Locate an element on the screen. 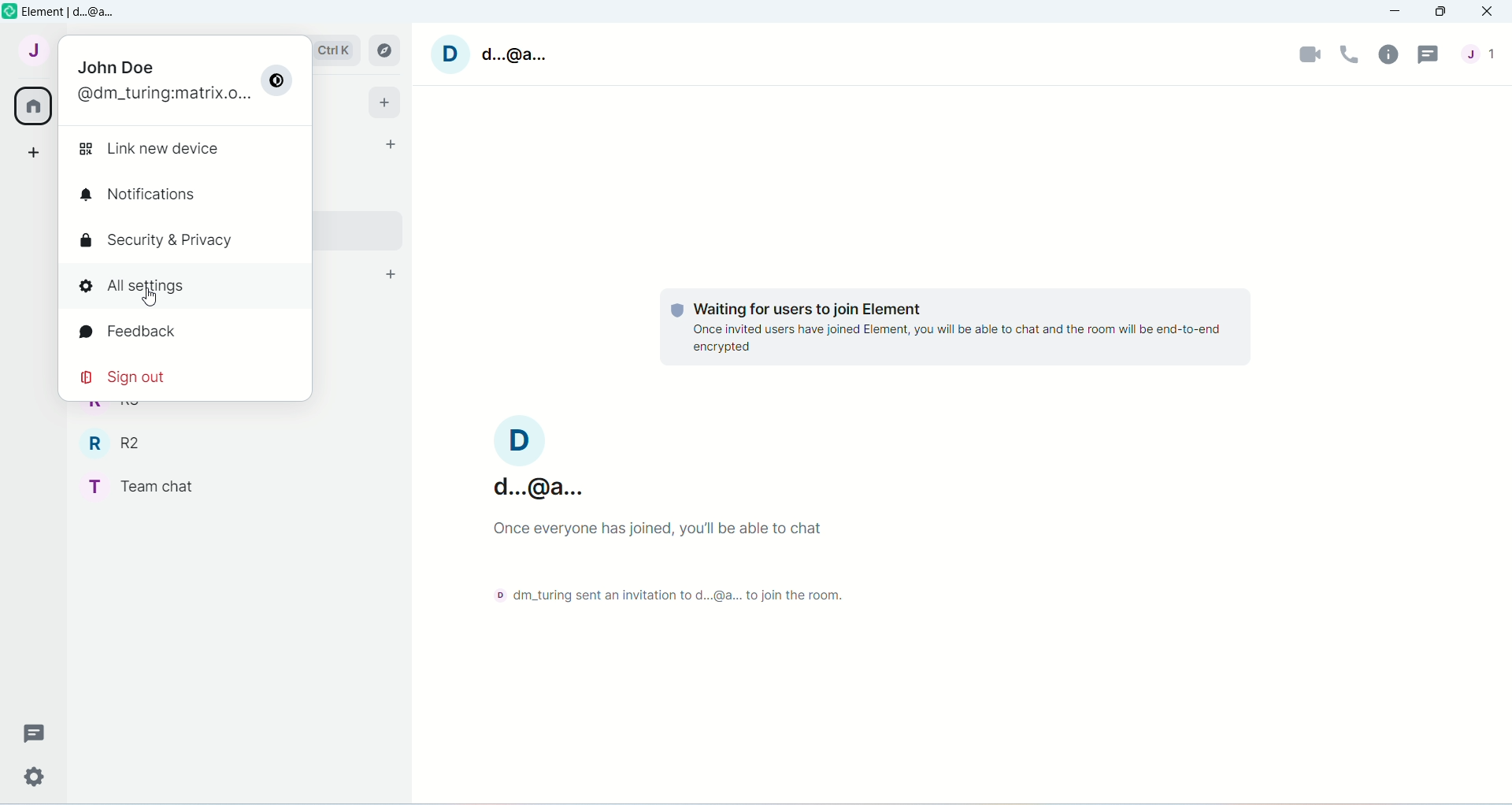 Image resolution: width=1512 pixels, height=805 pixels. waiting for users to join element is located at coordinates (823, 307).